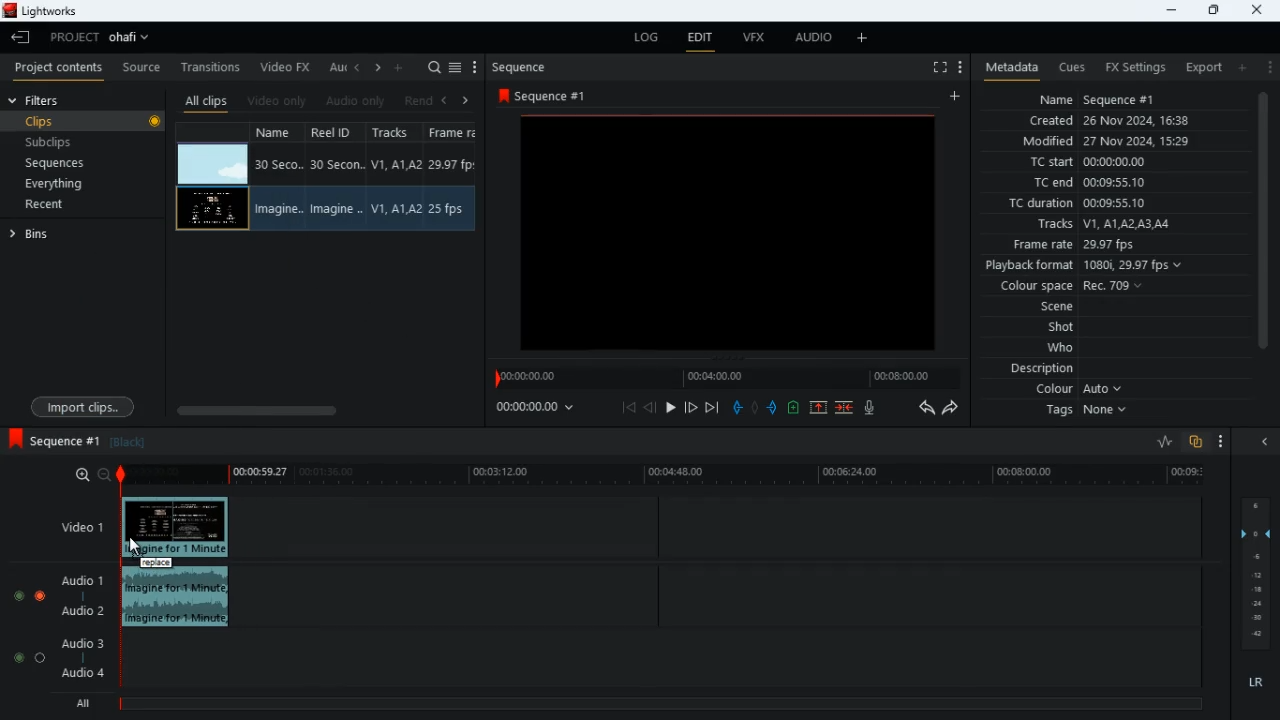 This screenshot has height=720, width=1280. I want to click on name, so click(280, 131).